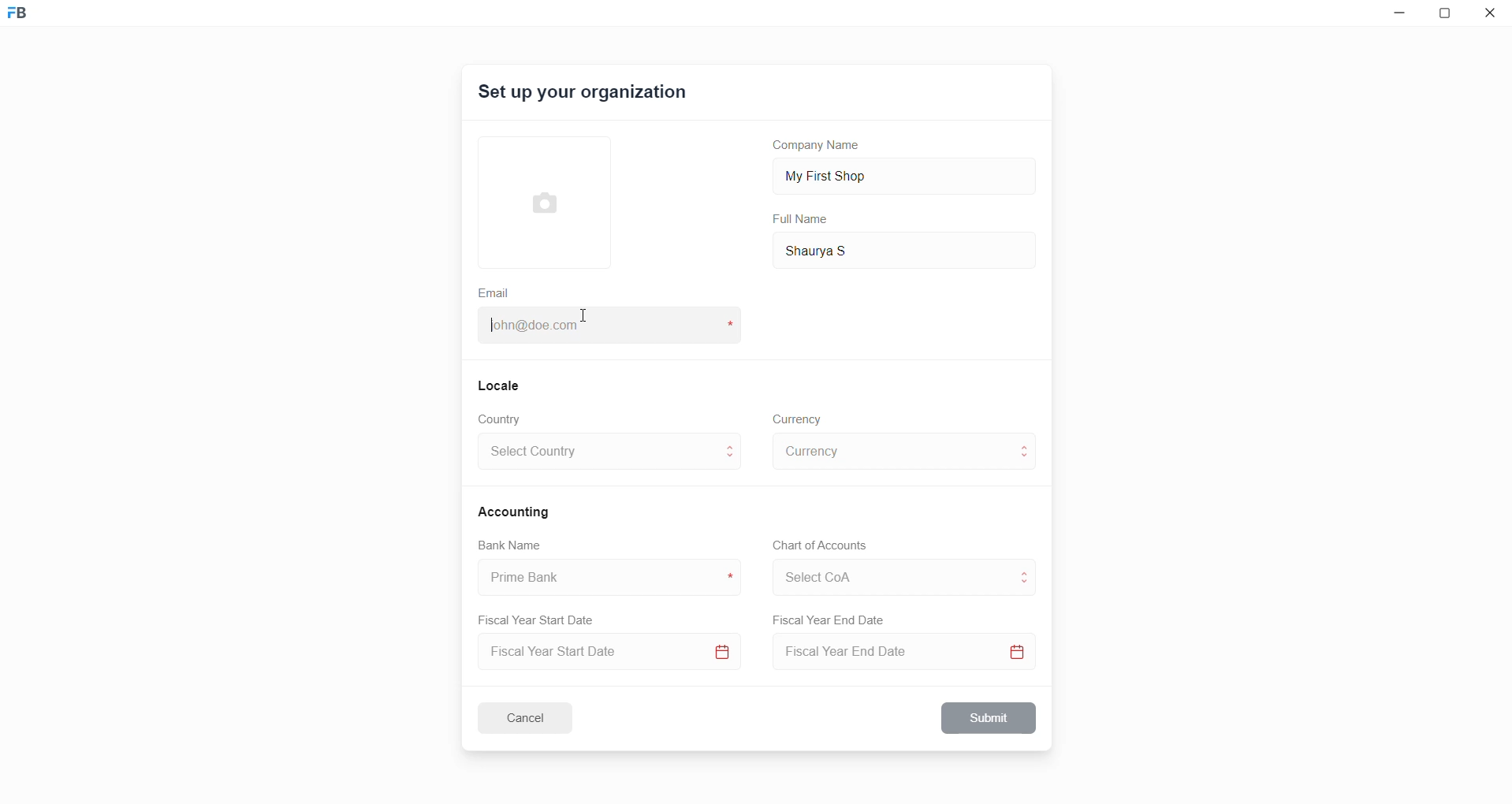 The height and width of the screenshot is (804, 1512). What do you see at coordinates (503, 419) in the screenshot?
I see `Country` at bounding box center [503, 419].